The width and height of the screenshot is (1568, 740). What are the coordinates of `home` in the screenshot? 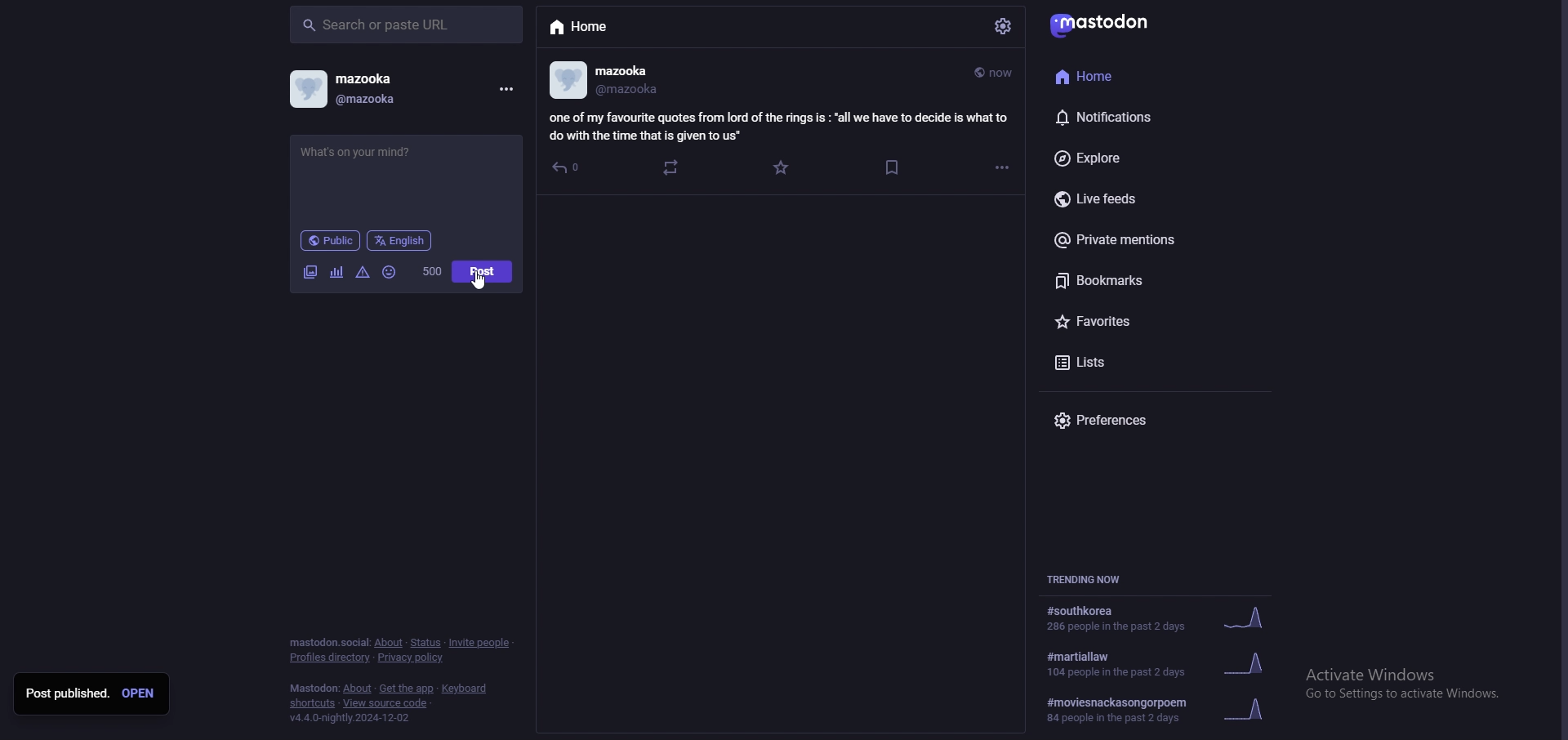 It's located at (1134, 74).